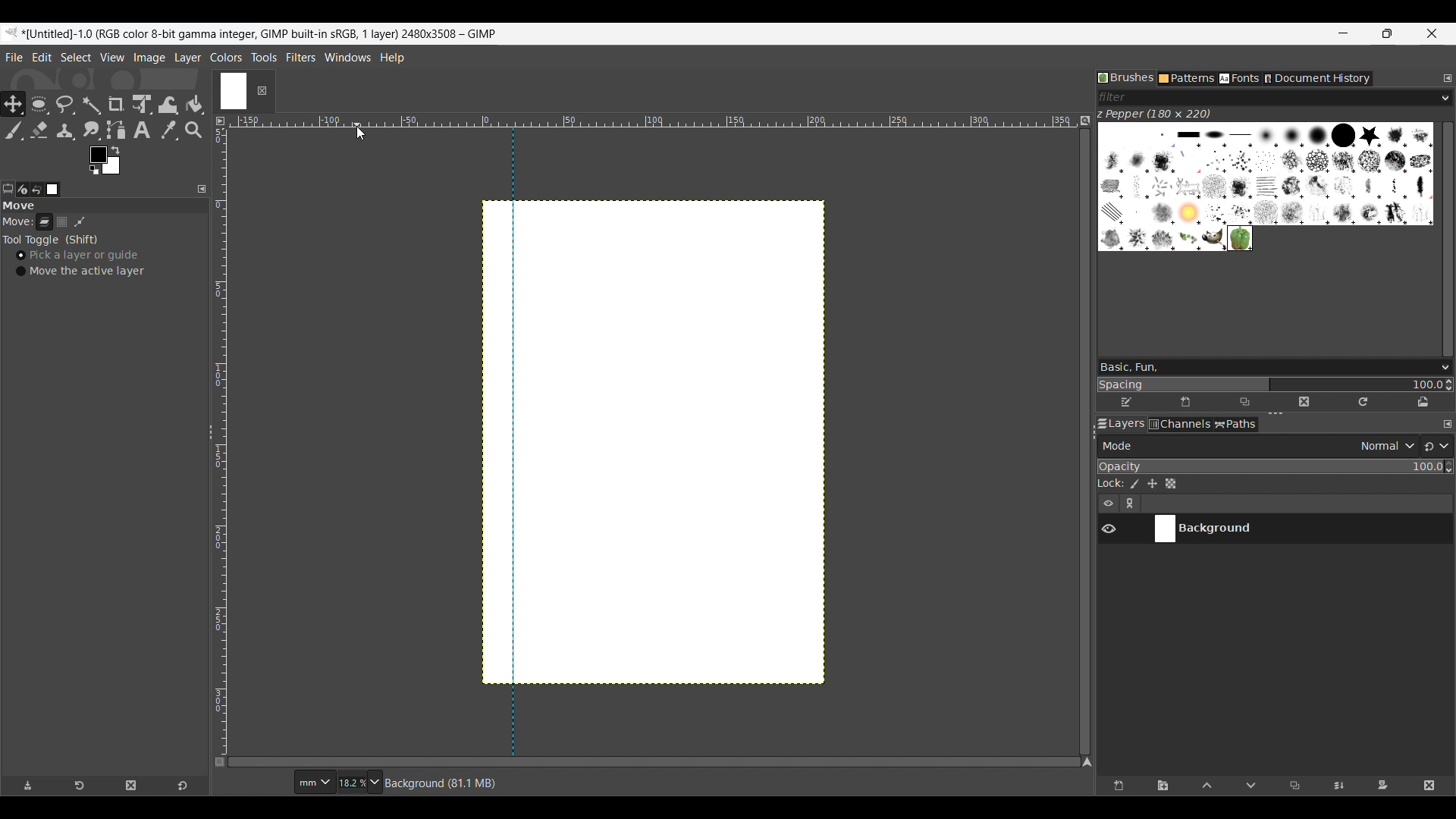 Image resolution: width=1456 pixels, height=819 pixels. What do you see at coordinates (1436, 446) in the screenshot?
I see `Switch to another group of modes` at bounding box center [1436, 446].